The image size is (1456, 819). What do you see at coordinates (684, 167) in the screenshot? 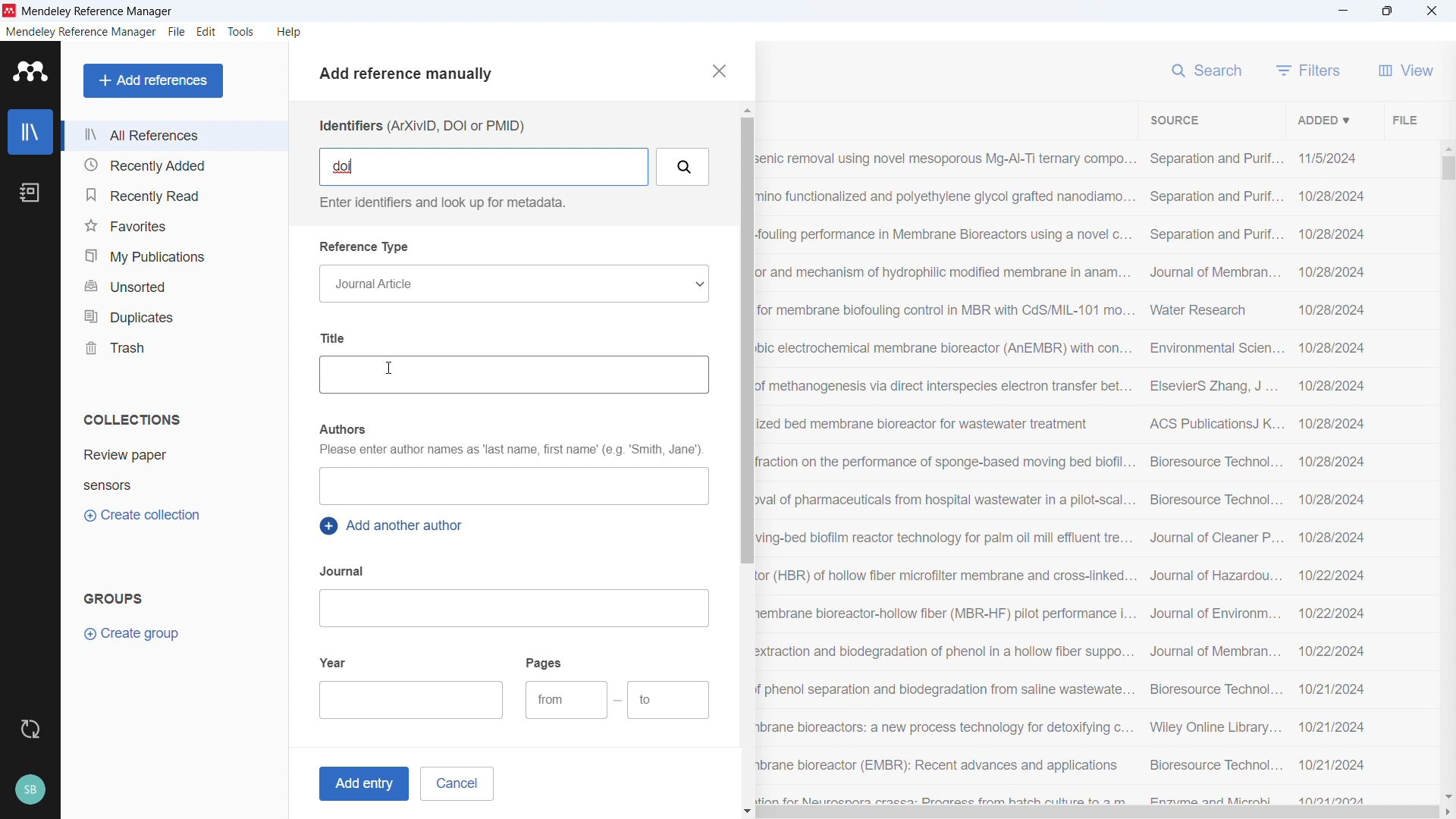
I see `Search by Identifiers ` at bounding box center [684, 167].